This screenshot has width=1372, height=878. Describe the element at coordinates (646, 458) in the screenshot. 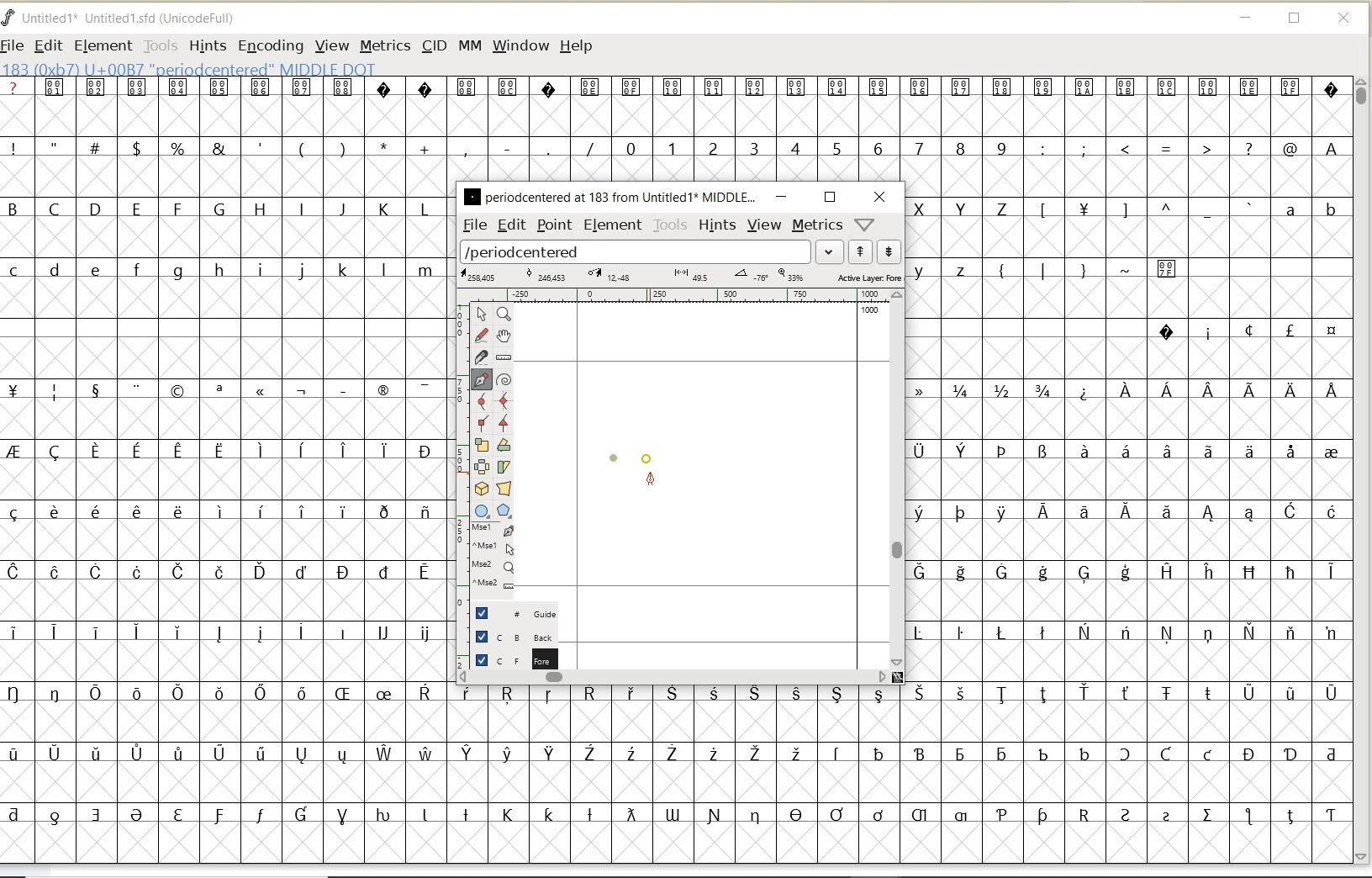

I see `dot` at that location.